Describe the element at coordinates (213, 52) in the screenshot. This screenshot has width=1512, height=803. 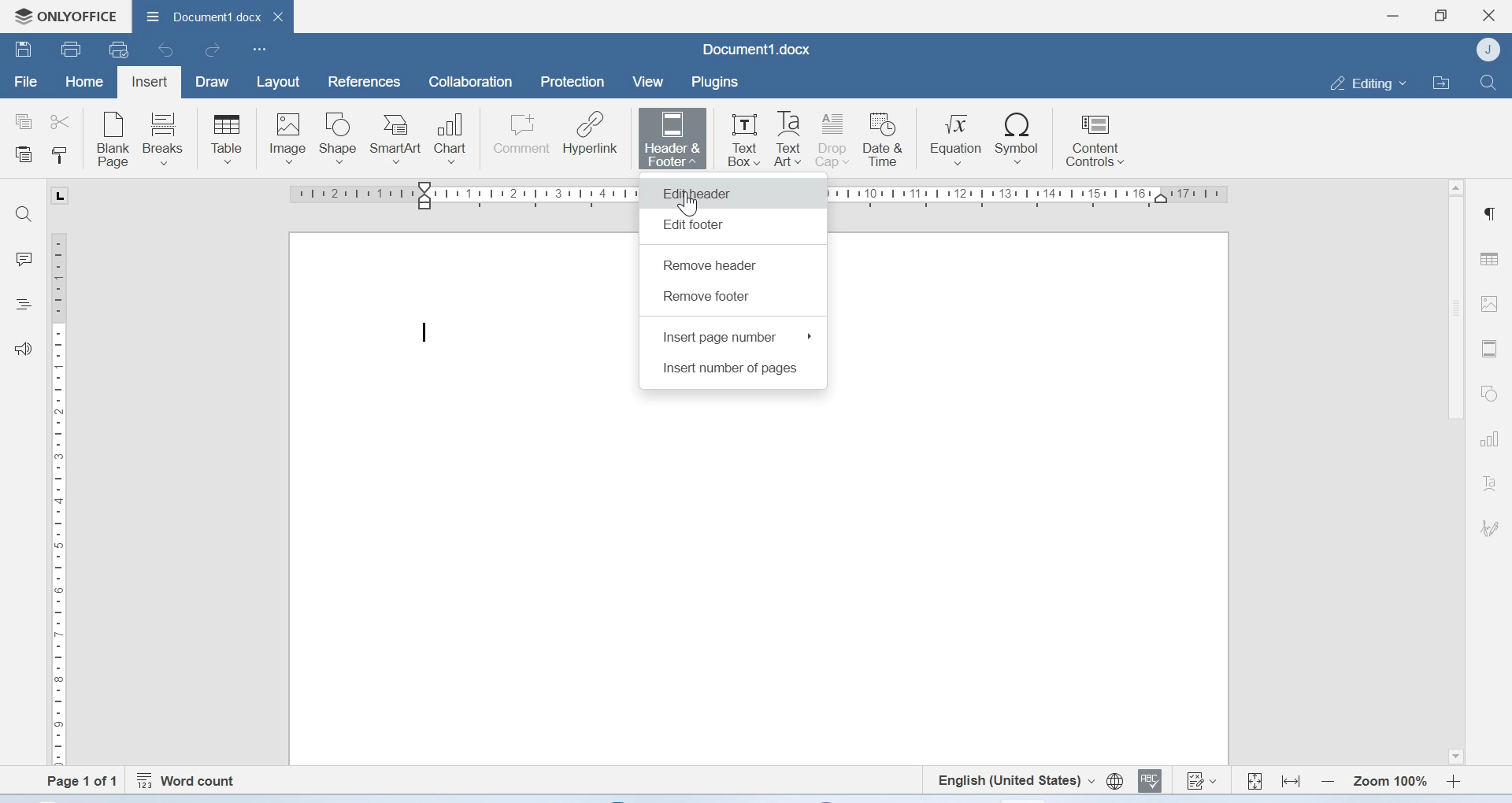
I see `redo` at that location.